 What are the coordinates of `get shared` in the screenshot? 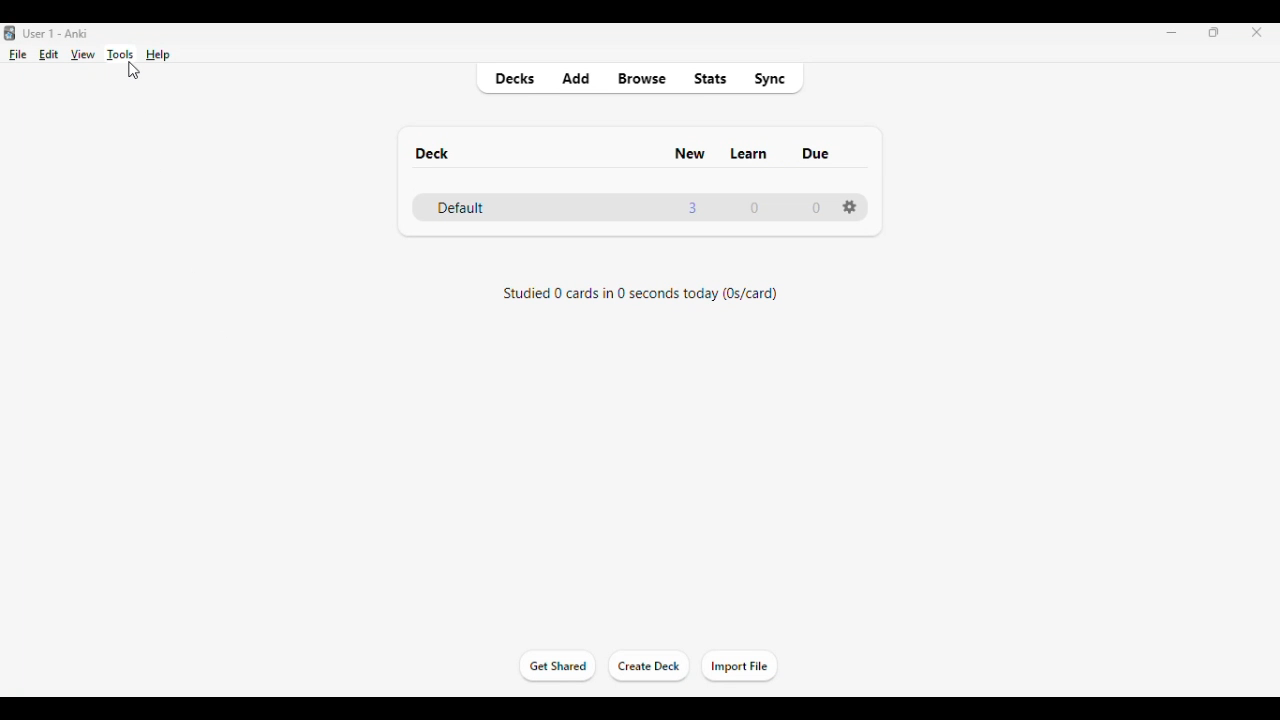 It's located at (556, 665).